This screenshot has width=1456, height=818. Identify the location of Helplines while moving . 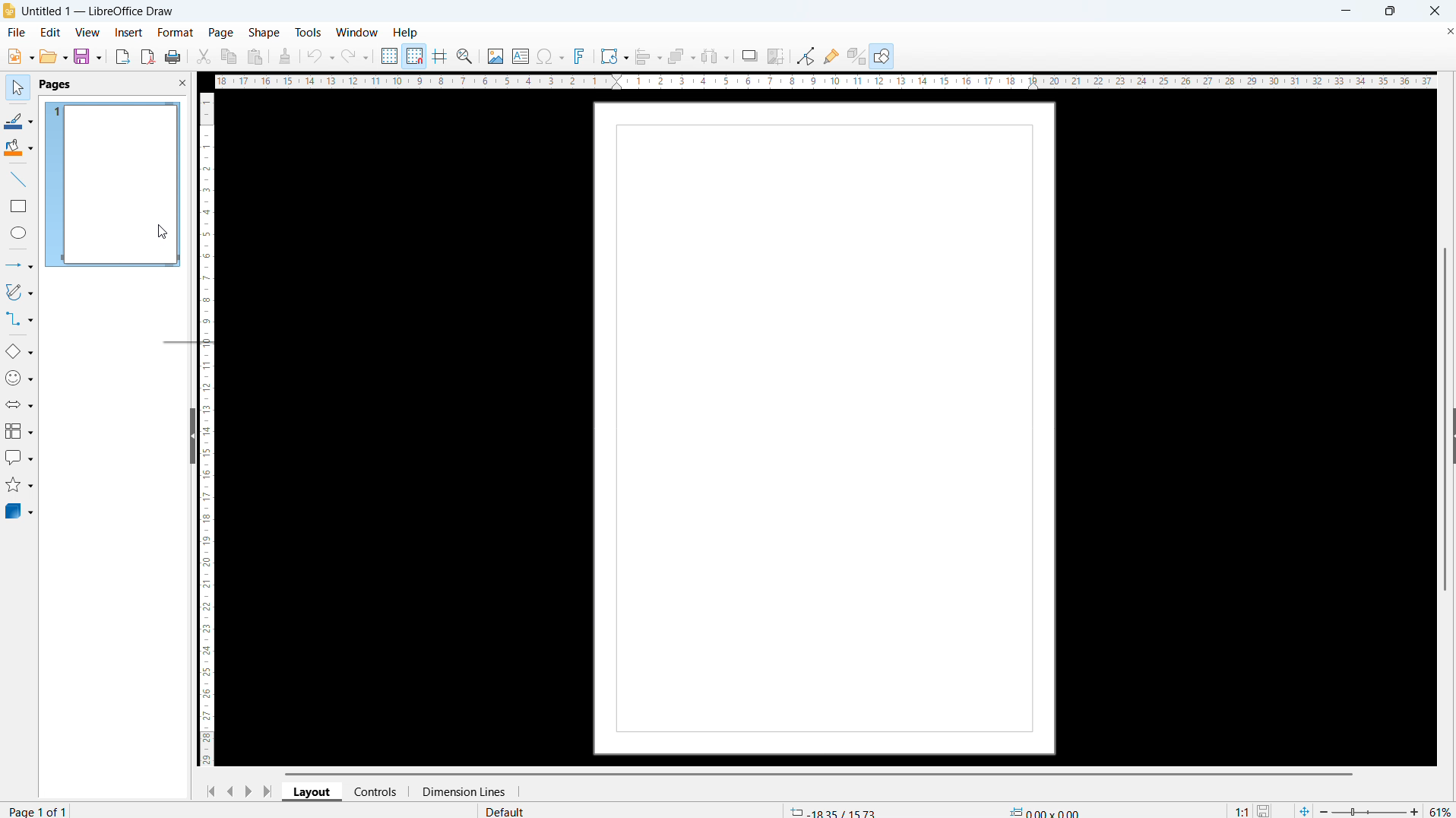
(440, 55).